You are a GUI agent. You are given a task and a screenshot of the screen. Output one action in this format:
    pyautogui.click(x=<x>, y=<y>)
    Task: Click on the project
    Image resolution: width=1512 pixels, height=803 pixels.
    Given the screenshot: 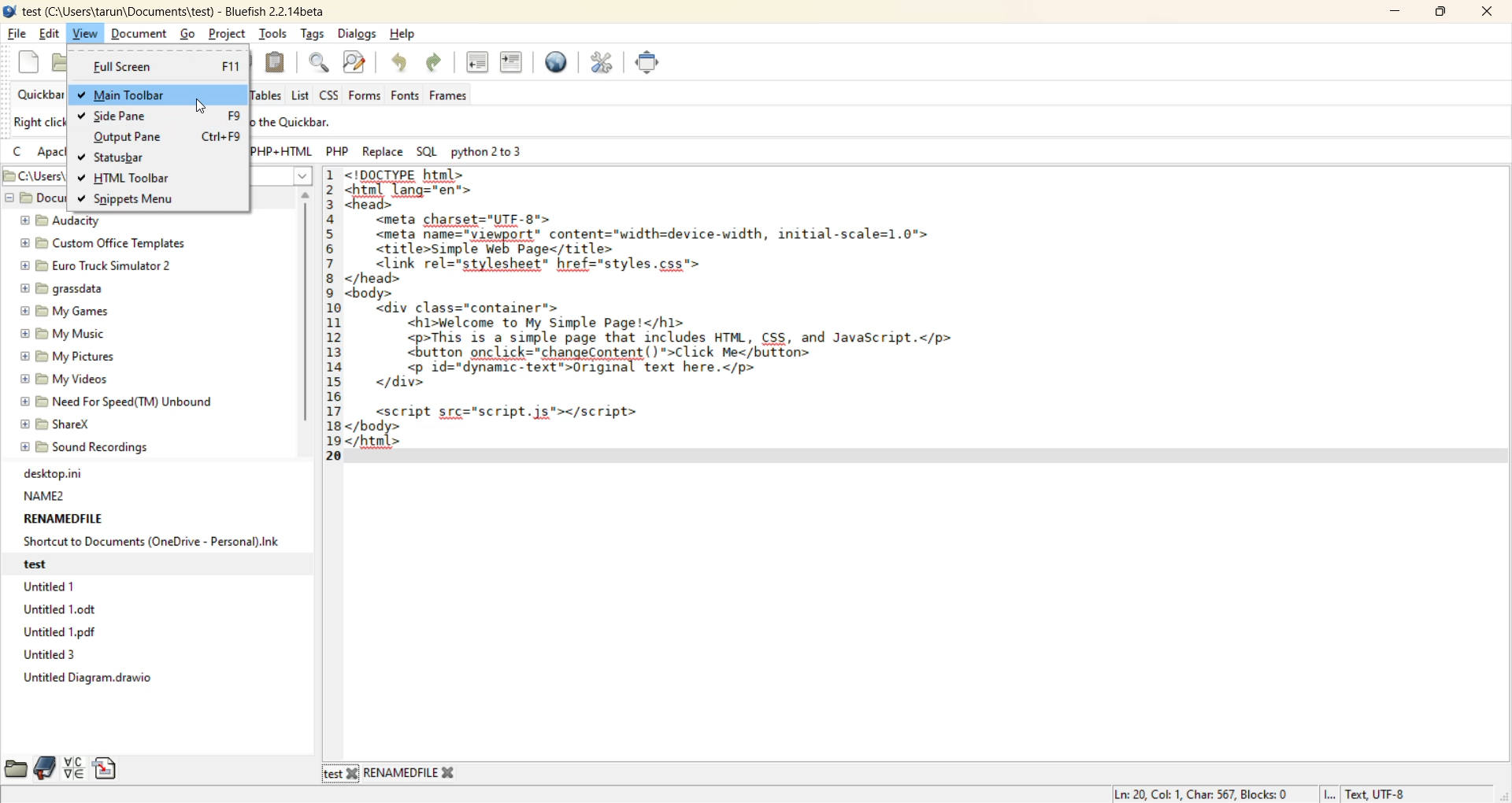 What is the action you would take?
    pyautogui.click(x=231, y=33)
    